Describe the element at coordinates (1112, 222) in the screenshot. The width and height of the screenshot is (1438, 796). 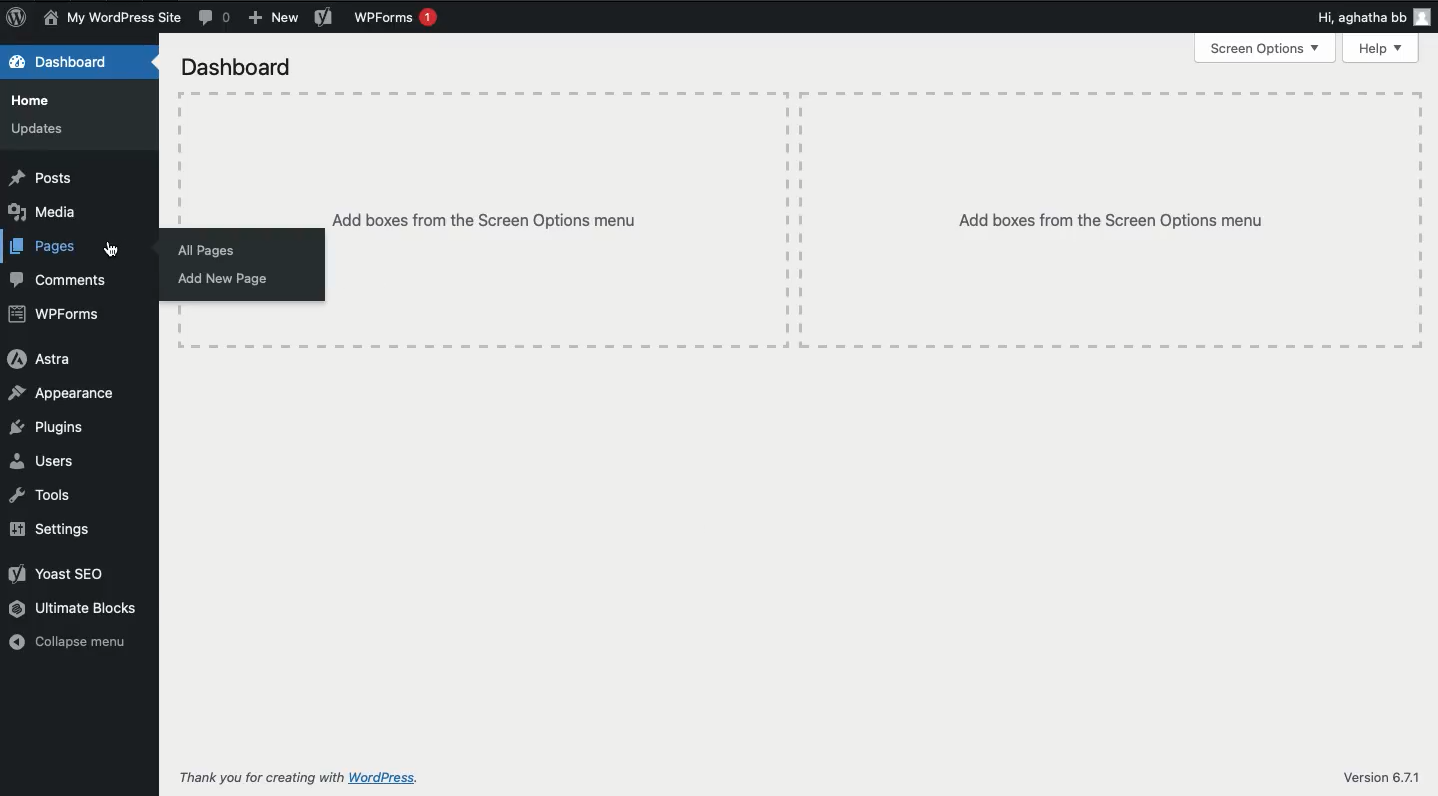
I see `Add boxes from the screen options menu` at that location.